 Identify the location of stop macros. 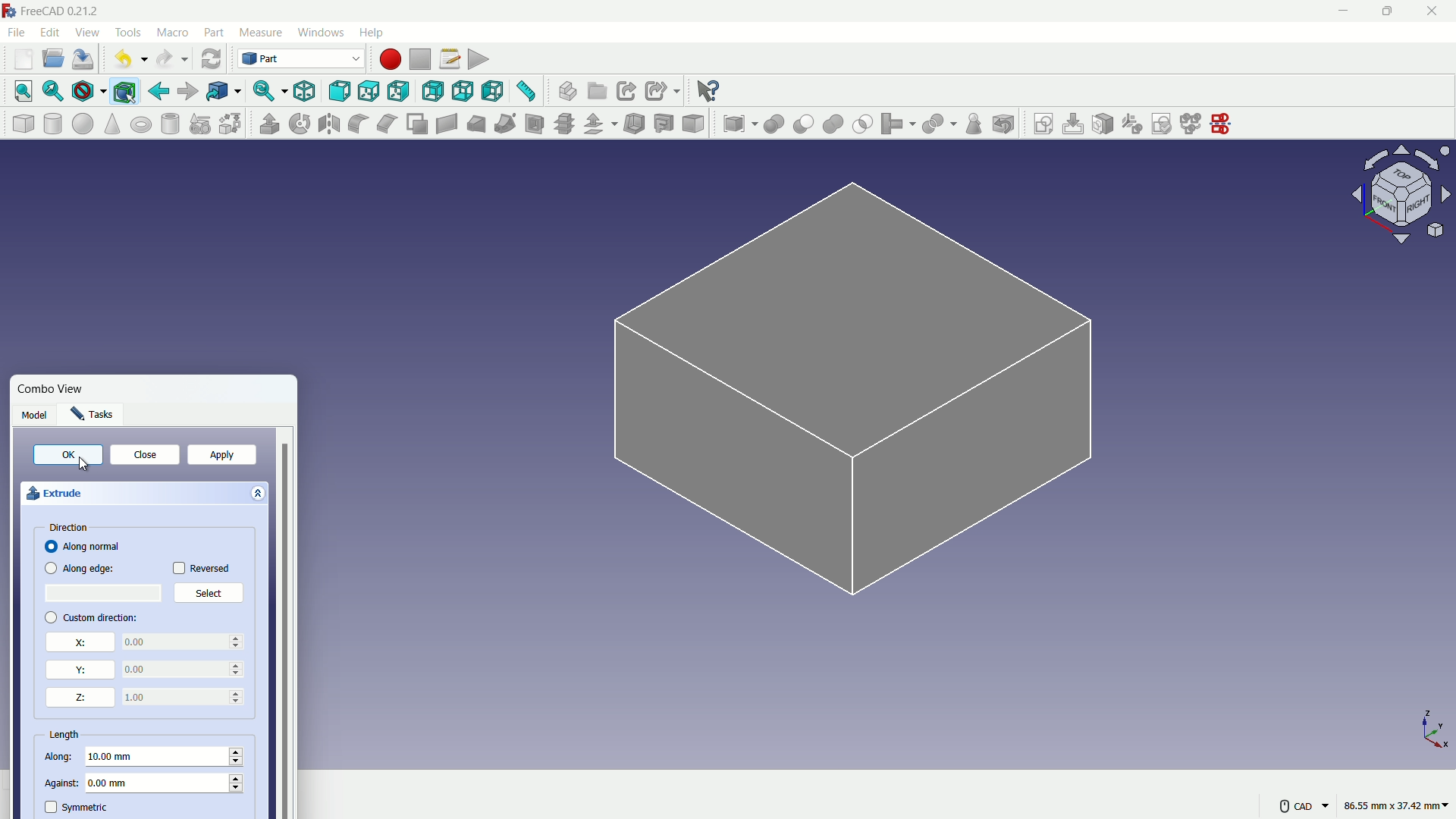
(420, 60).